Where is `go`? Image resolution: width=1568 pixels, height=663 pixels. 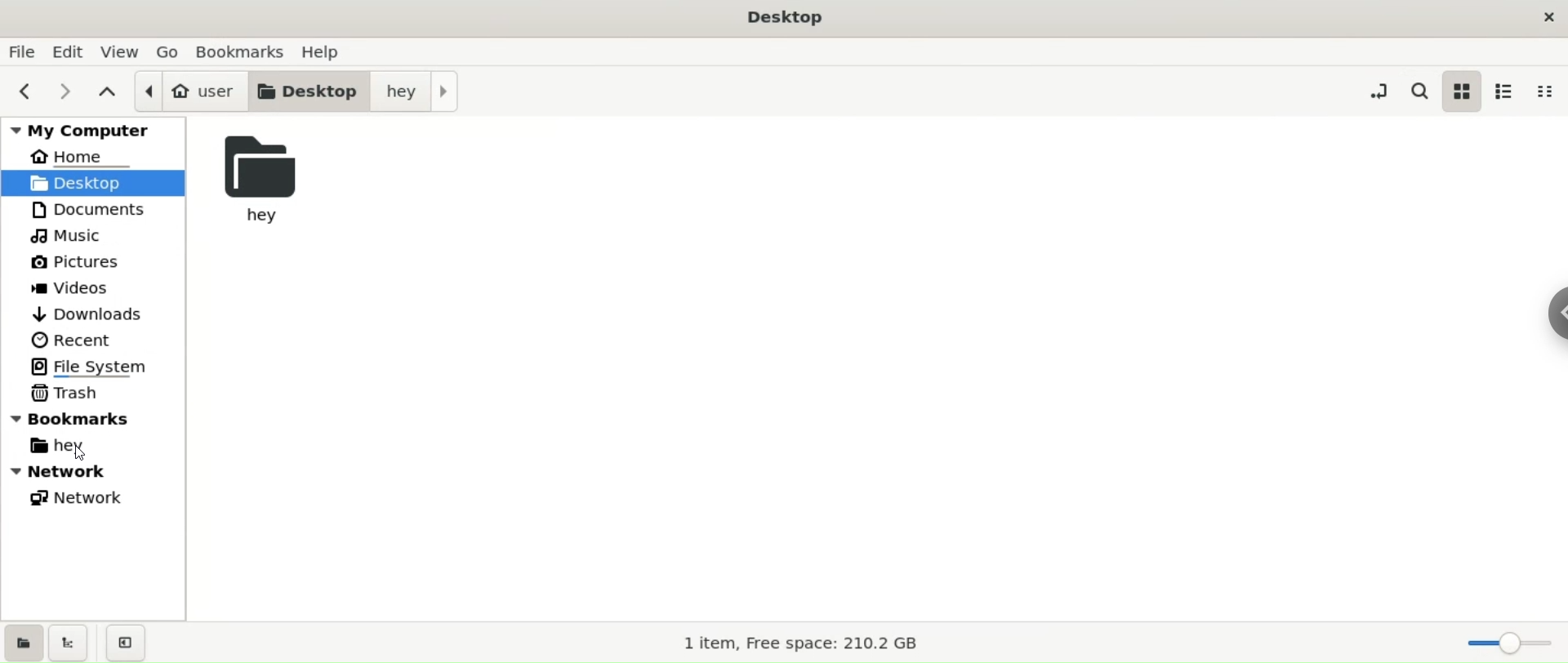
go is located at coordinates (170, 51).